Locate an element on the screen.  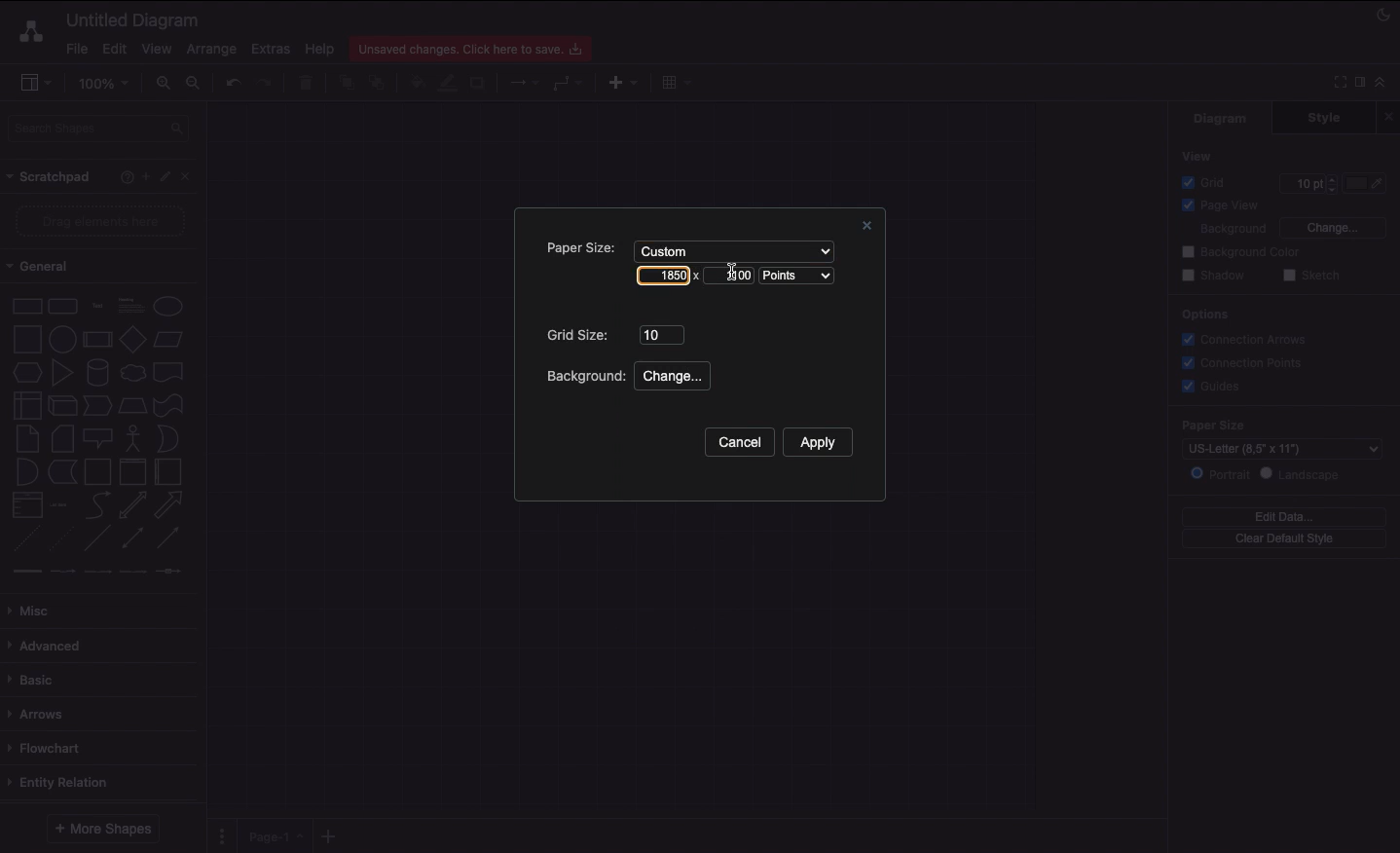
Dashed line is located at coordinates (23, 541).